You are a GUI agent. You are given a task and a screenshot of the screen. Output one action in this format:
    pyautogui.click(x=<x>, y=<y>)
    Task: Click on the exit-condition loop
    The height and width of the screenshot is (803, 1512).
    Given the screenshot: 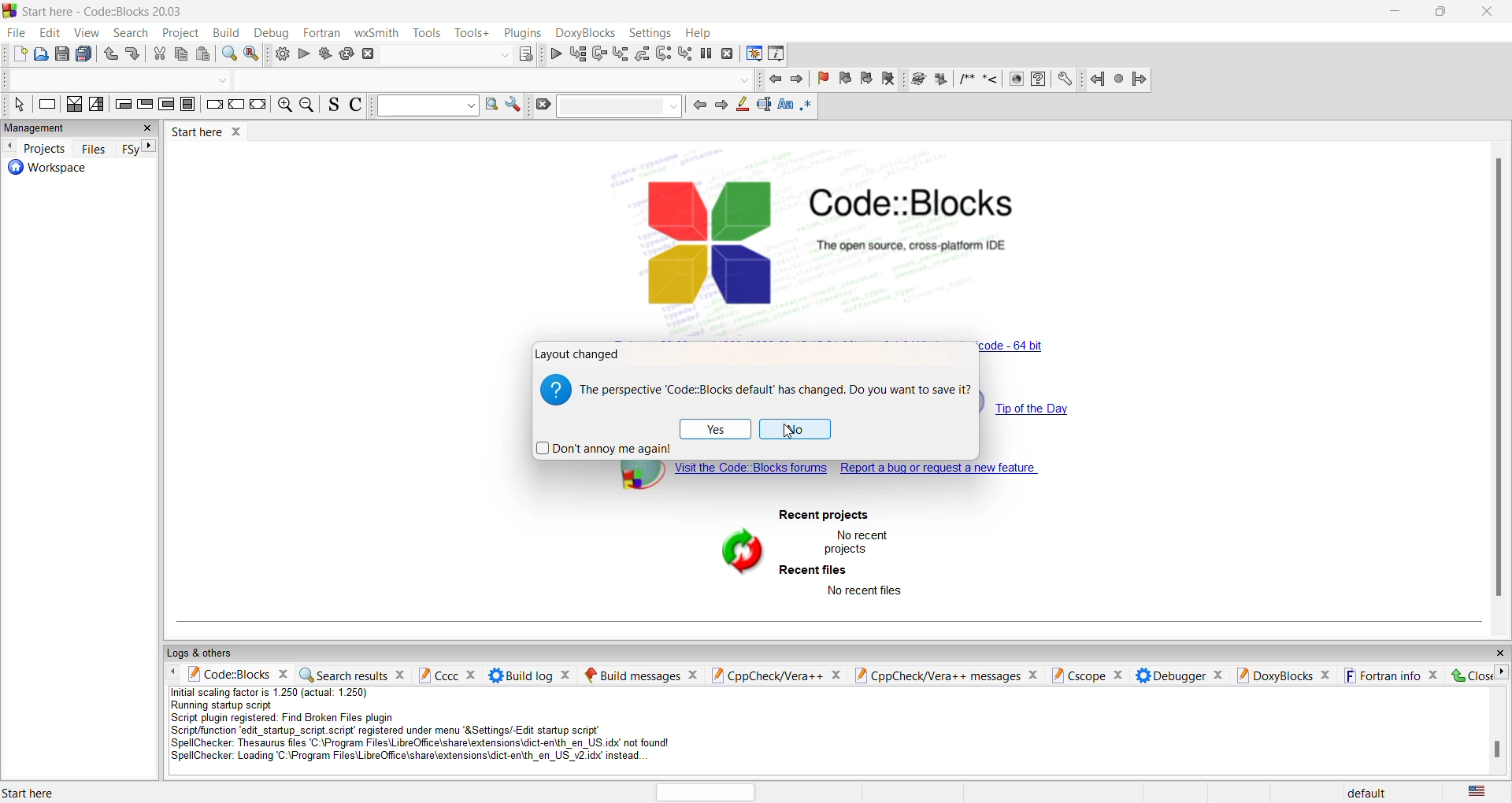 What is the action you would take?
    pyautogui.click(x=145, y=105)
    